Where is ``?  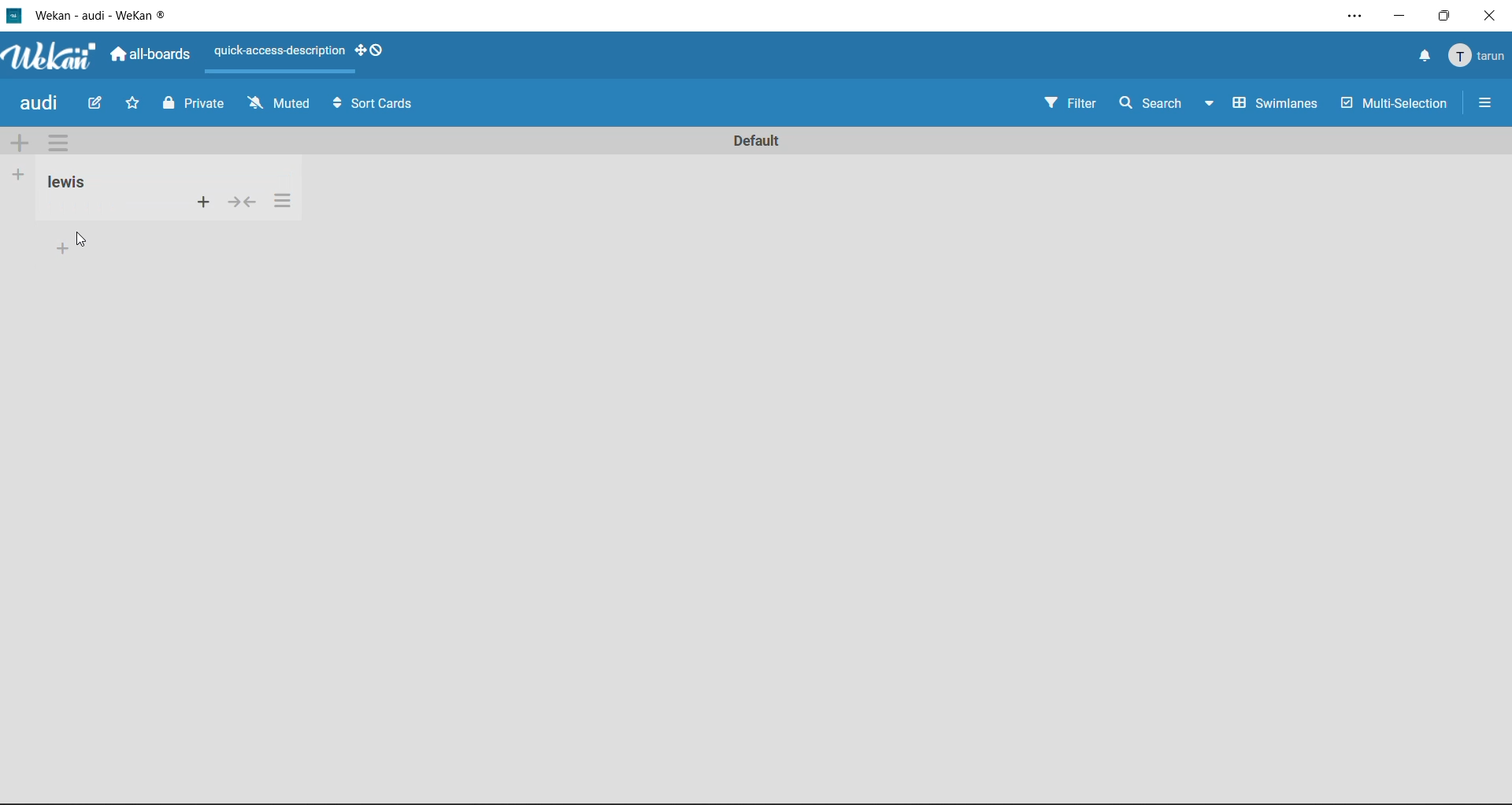  is located at coordinates (240, 202).